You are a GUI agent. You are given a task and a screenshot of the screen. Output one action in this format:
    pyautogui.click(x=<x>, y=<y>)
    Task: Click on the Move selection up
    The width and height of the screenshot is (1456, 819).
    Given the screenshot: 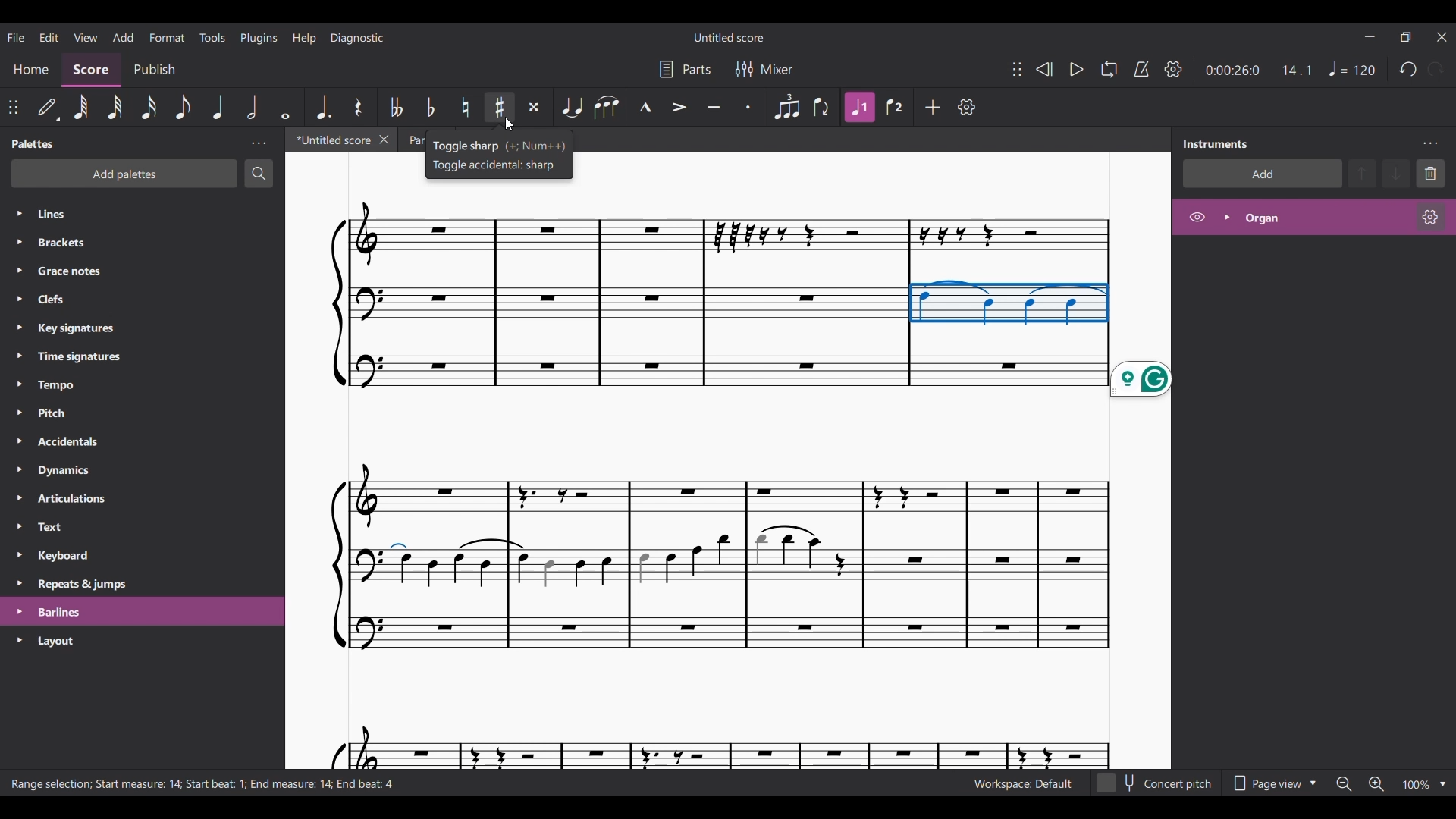 What is the action you would take?
    pyautogui.click(x=1362, y=174)
    